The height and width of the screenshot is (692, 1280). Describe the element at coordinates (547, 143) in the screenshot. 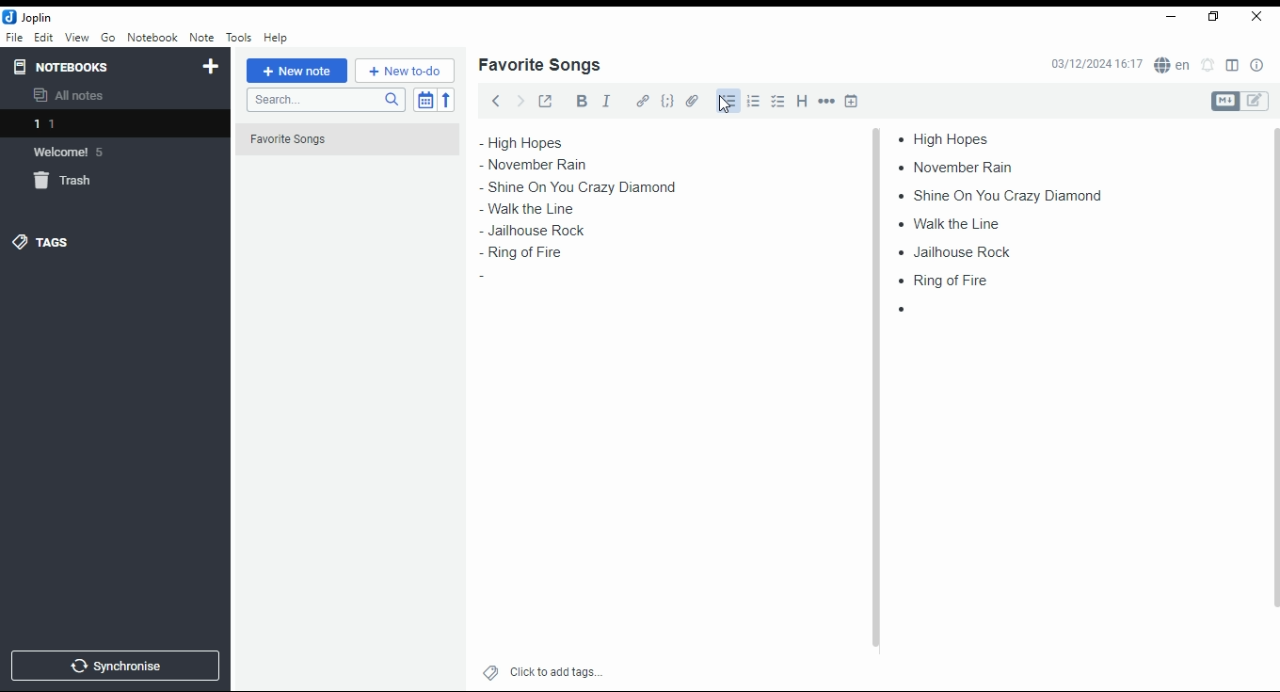

I see `high hopes` at that location.